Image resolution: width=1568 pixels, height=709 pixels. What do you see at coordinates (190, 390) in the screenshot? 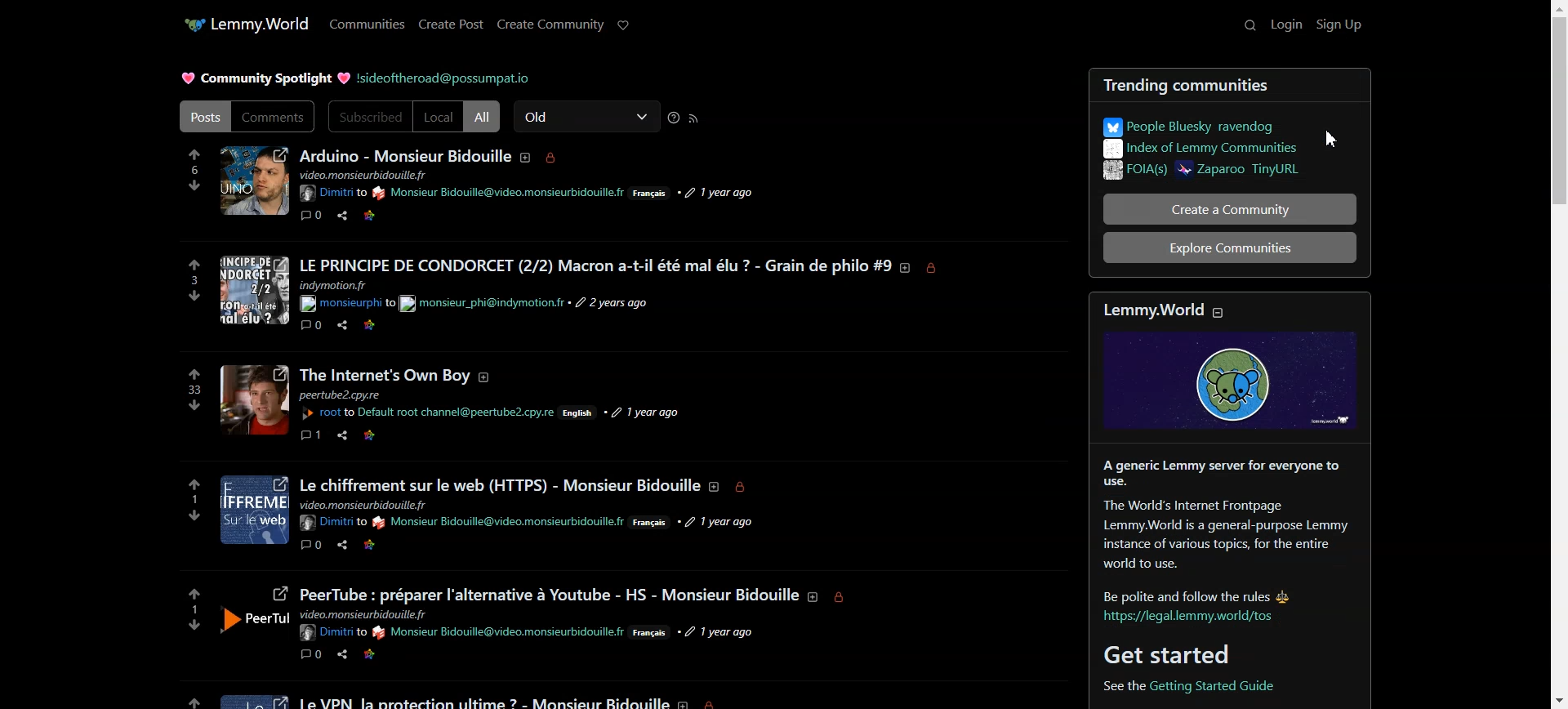
I see `33` at bounding box center [190, 390].